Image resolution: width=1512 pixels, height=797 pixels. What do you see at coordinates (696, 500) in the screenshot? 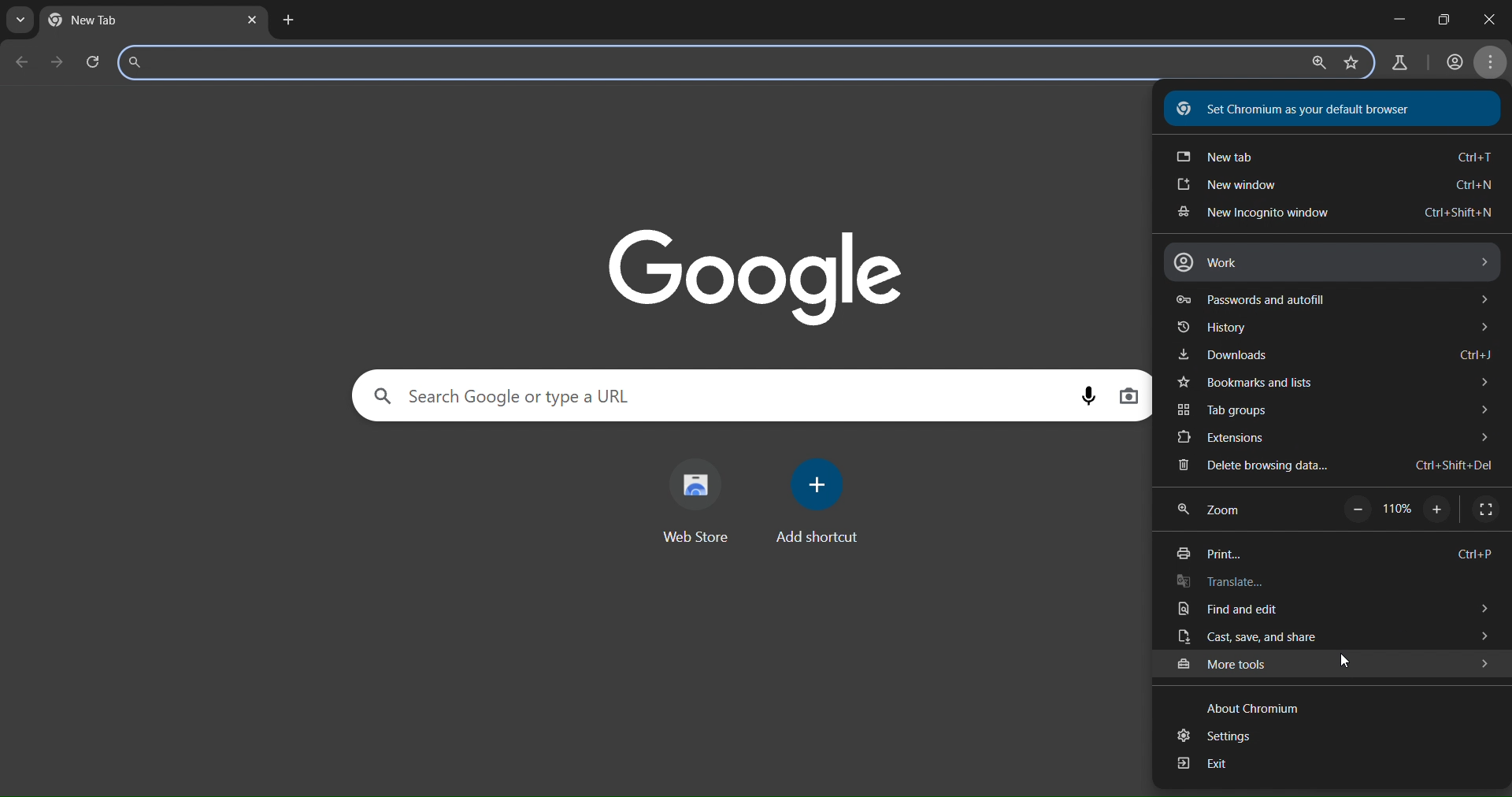
I see `web store` at bounding box center [696, 500].